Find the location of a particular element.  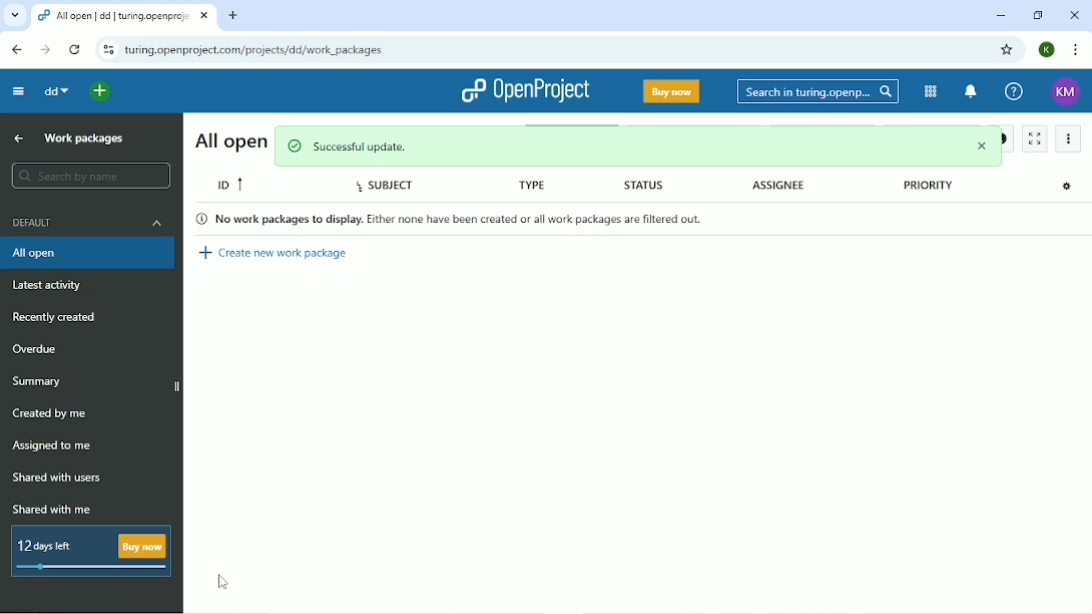

Search is located at coordinates (818, 92).